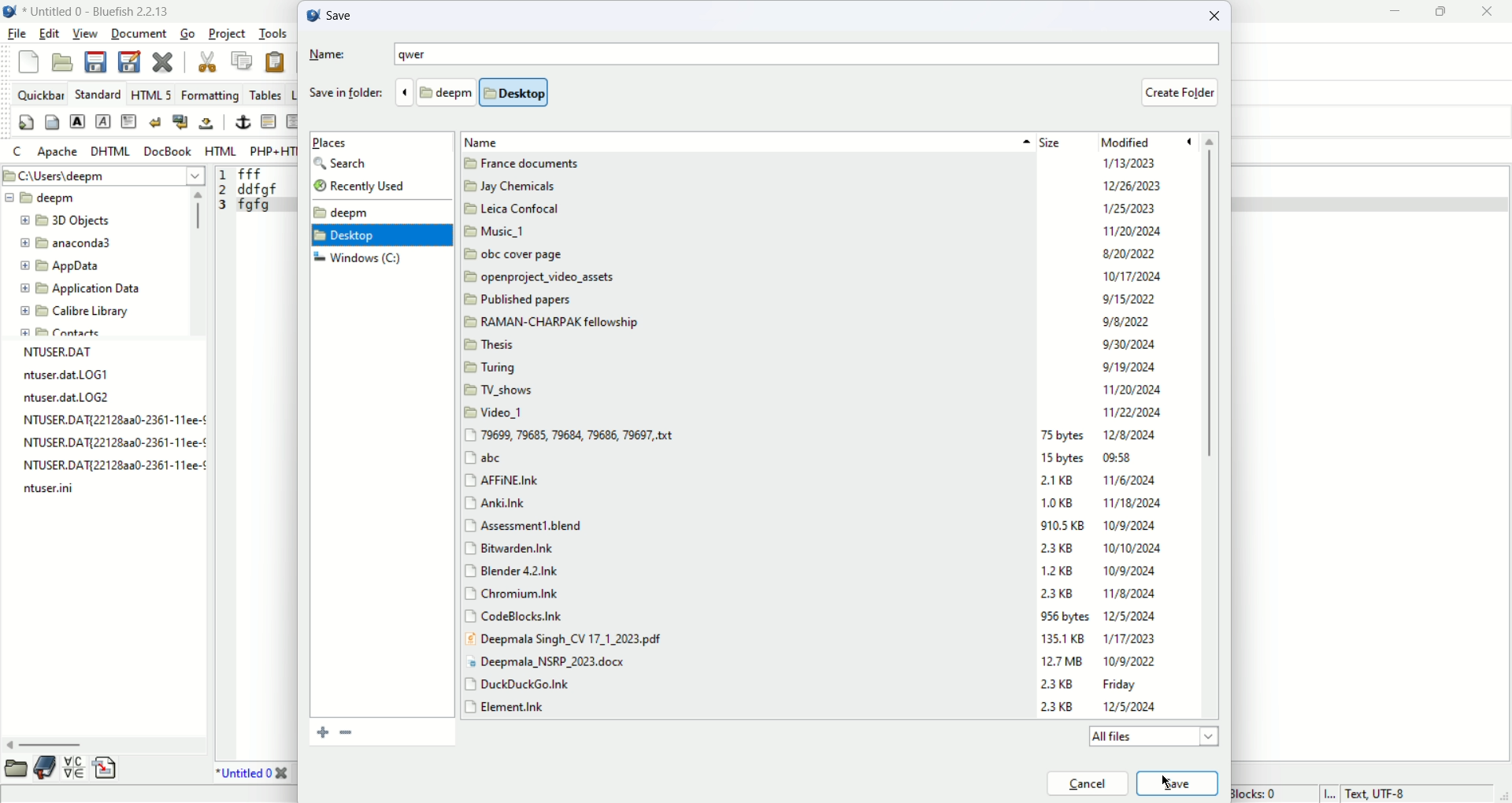 The height and width of the screenshot is (803, 1512). I want to click on new, so click(29, 61).